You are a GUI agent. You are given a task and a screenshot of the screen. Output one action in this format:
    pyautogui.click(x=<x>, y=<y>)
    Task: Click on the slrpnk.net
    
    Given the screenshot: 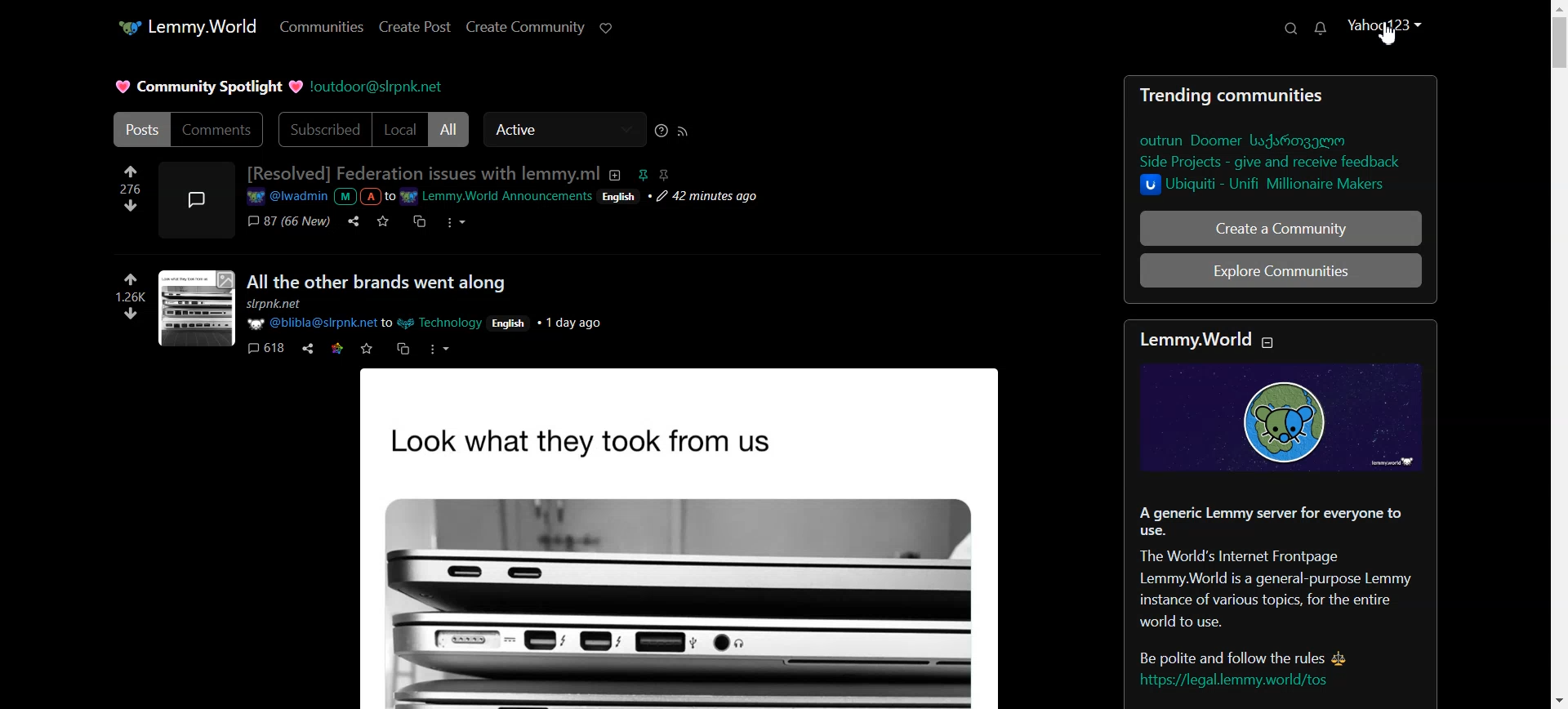 What is the action you would take?
    pyautogui.click(x=274, y=304)
    